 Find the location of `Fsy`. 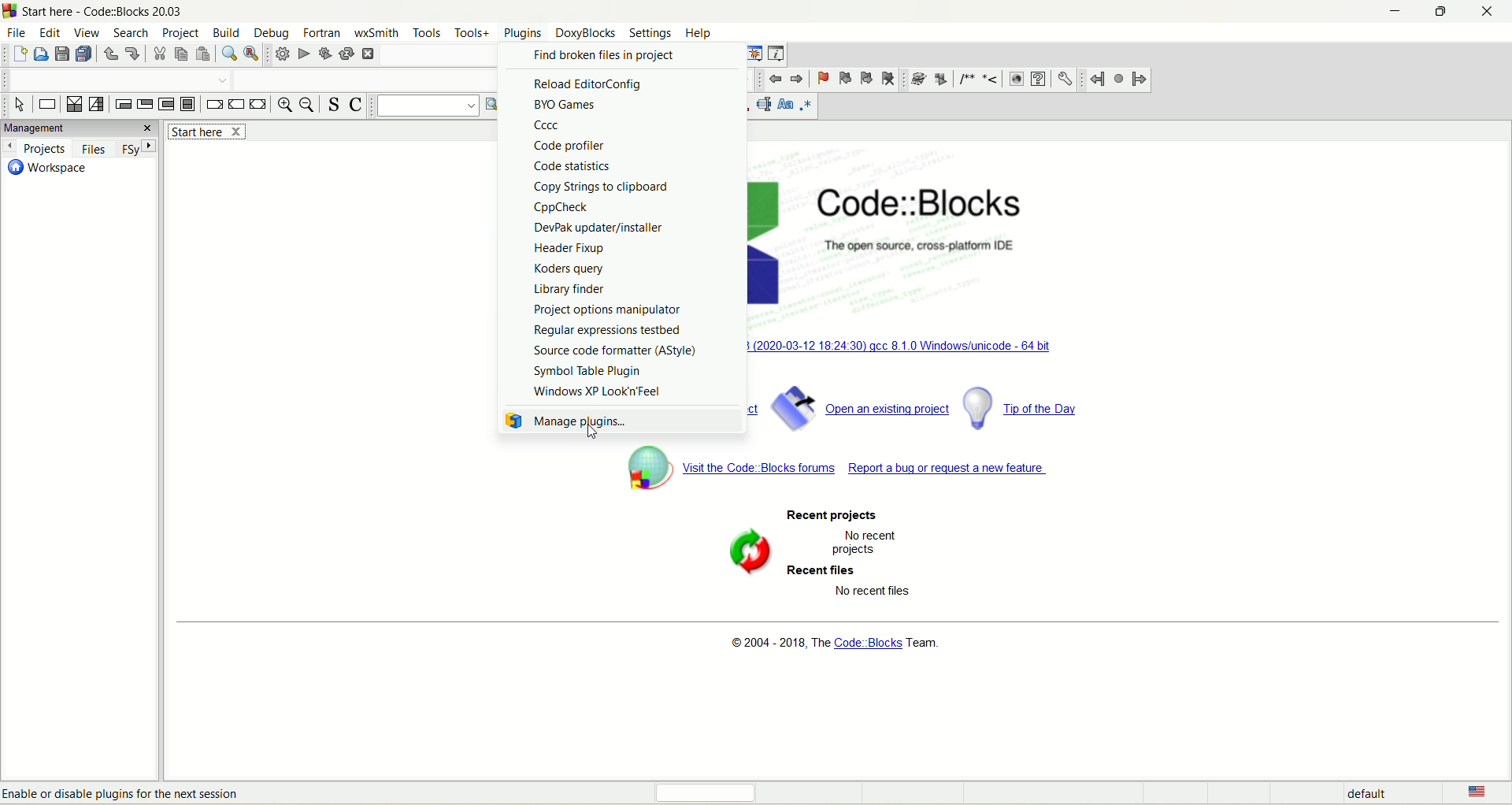

Fsy is located at coordinates (136, 148).